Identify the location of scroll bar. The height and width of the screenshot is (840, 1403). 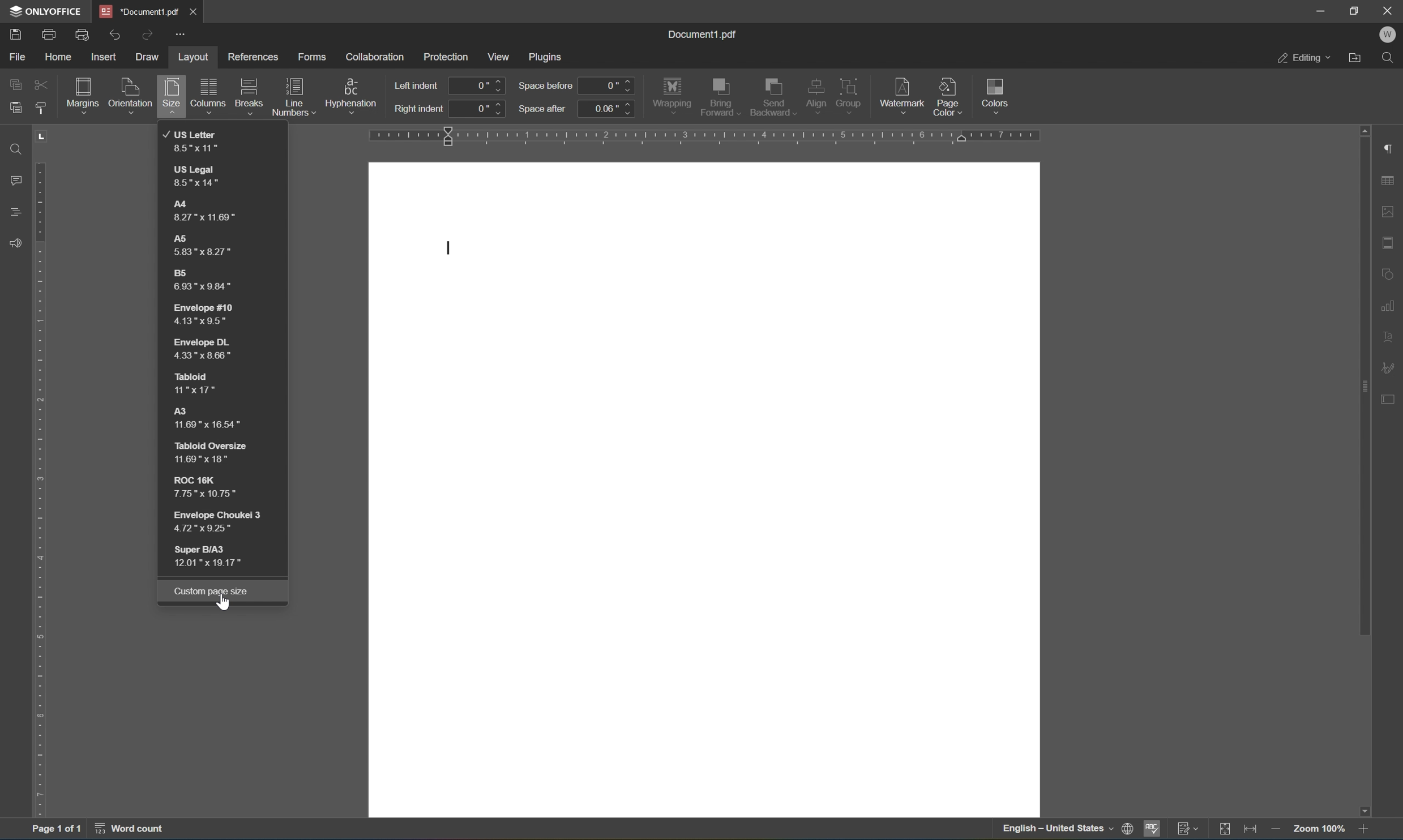
(1364, 470).